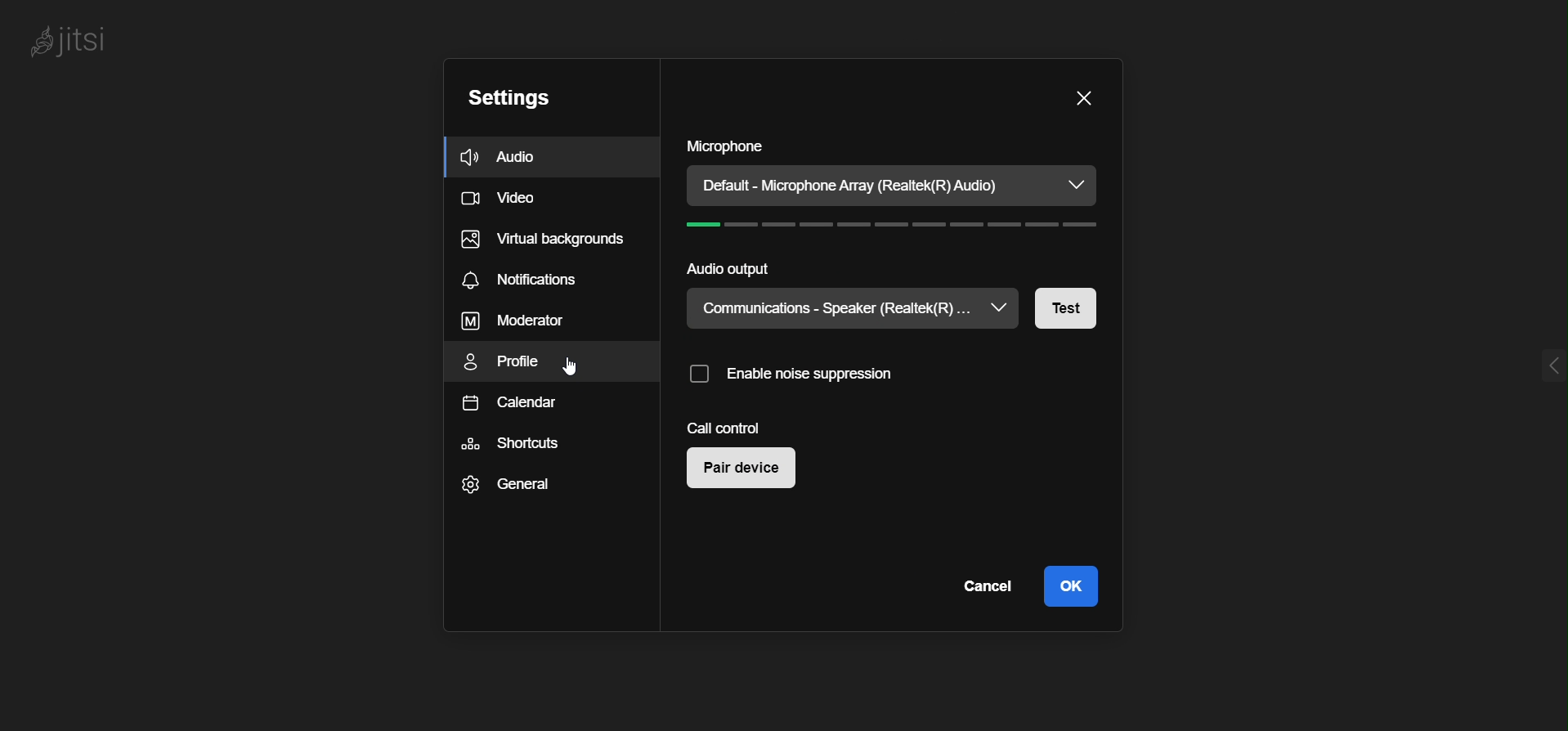  I want to click on volume, so click(901, 226).